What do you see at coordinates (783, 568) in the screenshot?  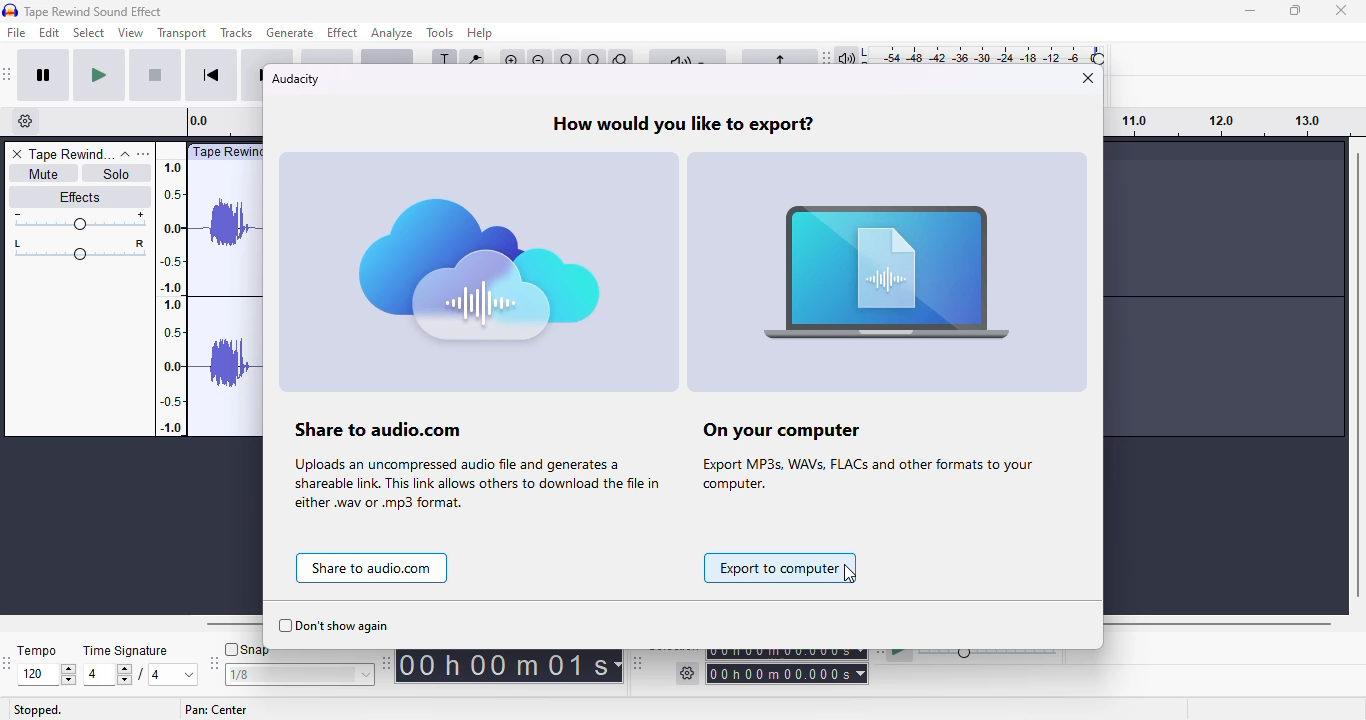 I see `export to computer` at bounding box center [783, 568].